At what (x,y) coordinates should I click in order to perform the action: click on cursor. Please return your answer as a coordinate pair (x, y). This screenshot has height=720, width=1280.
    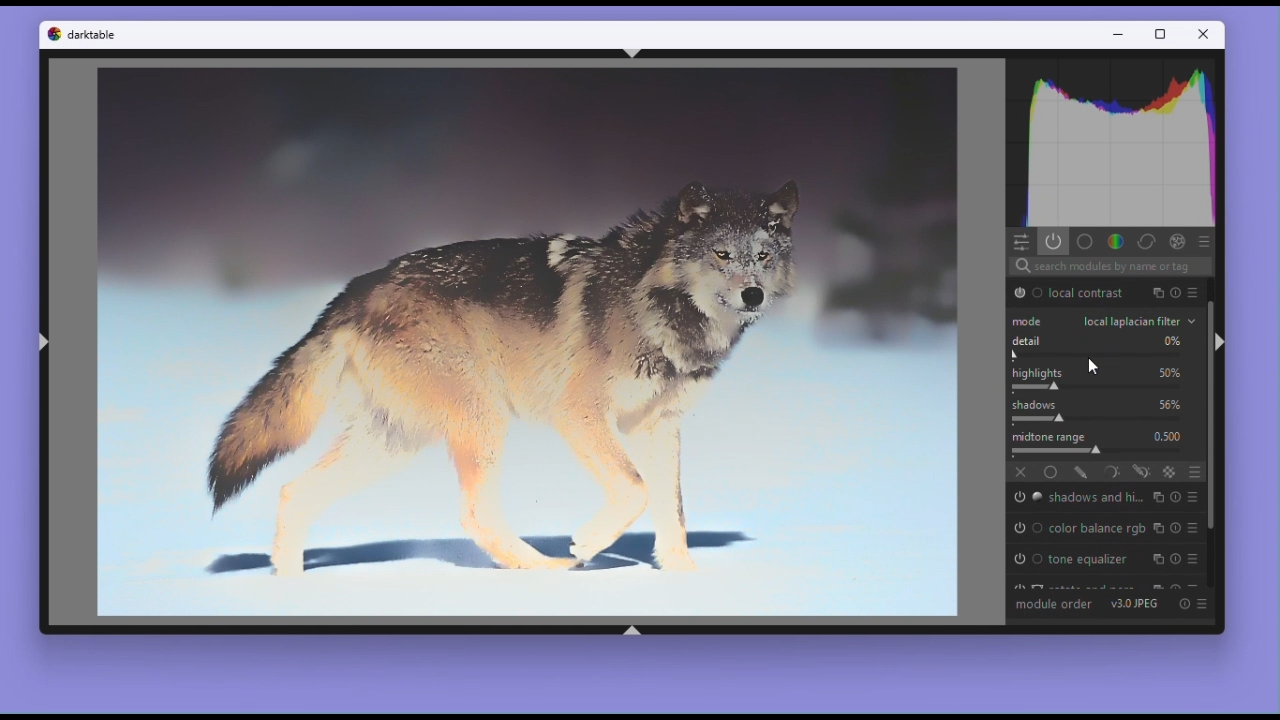
    Looking at the image, I should click on (1093, 367).